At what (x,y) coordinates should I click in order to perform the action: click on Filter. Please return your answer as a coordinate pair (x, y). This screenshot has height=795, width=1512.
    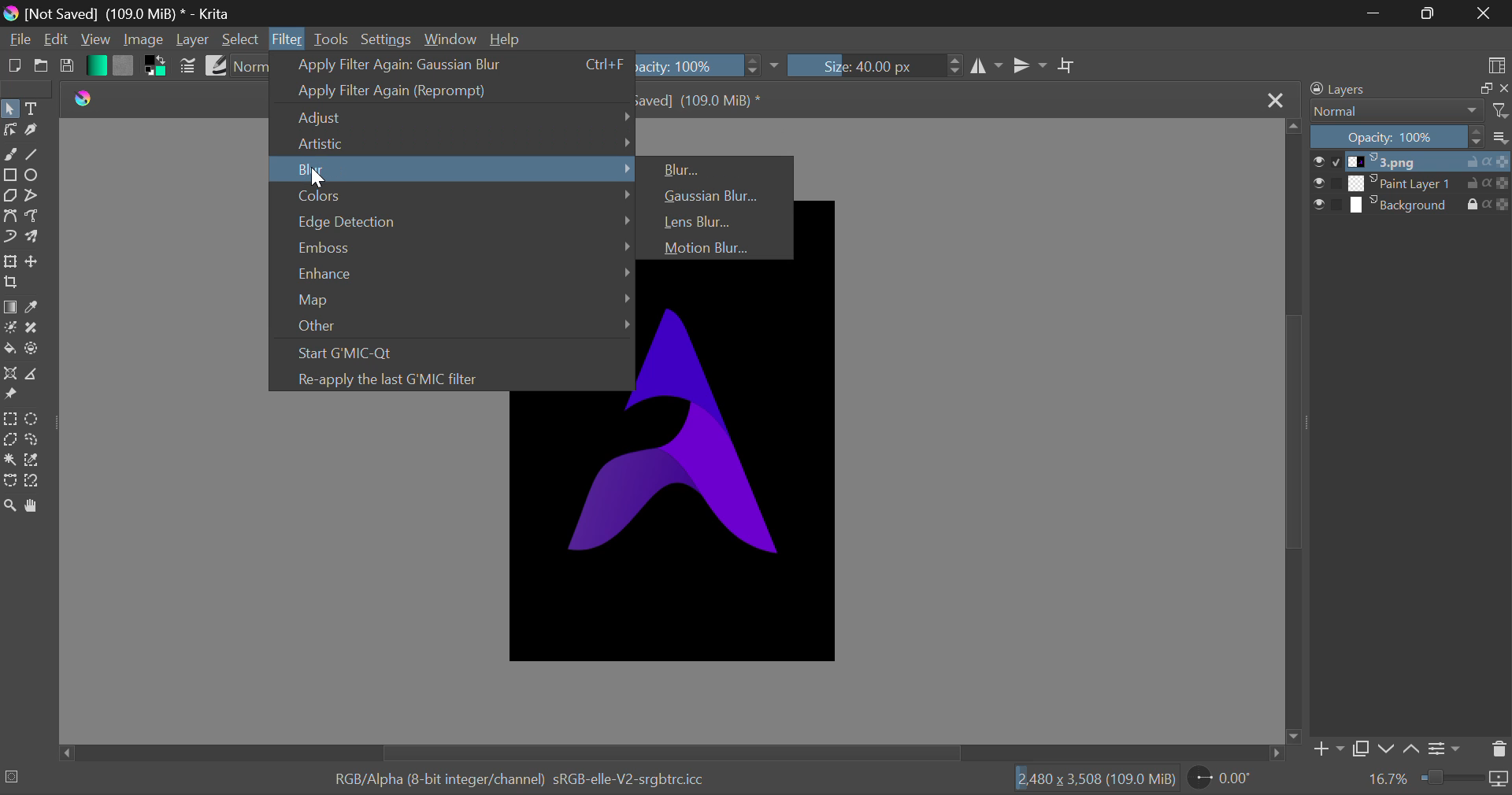
    Looking at the image, I should click on (287, 40).